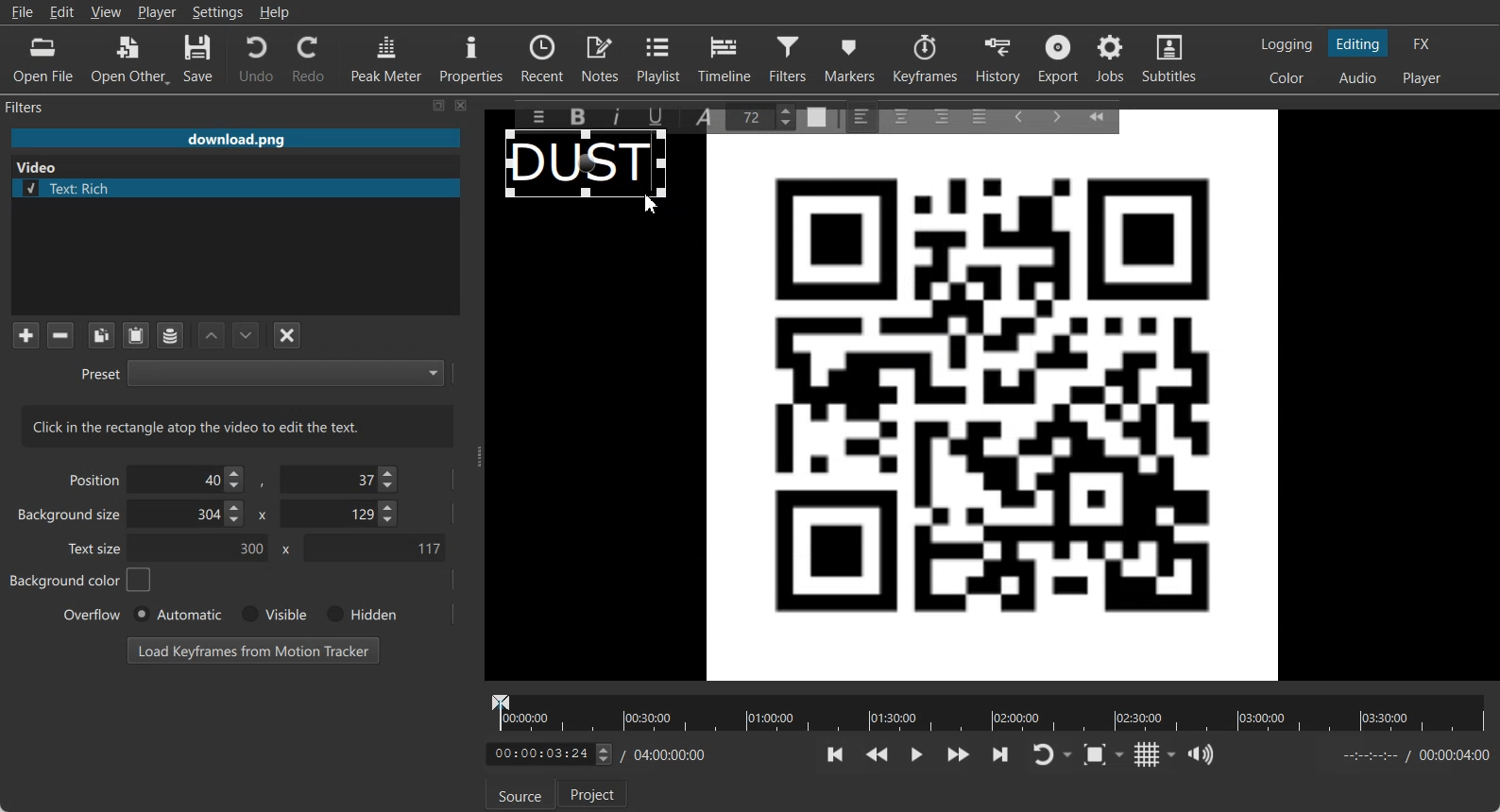 The image size is (1500, 812). I want to click on Edit, so click(62, 11).